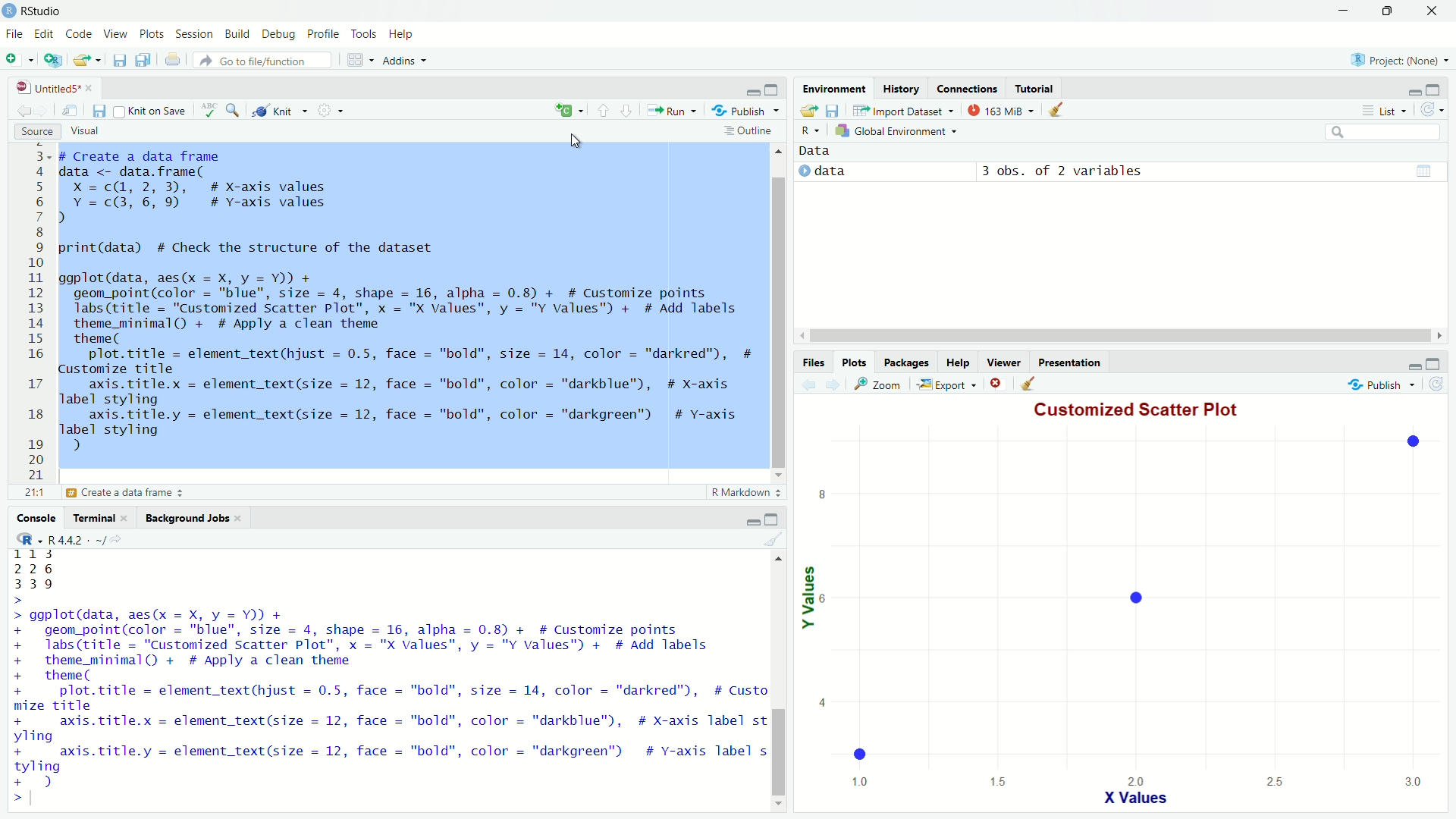 The image size is (1456, 819). I want to click on Minimize, so click(754, 523).